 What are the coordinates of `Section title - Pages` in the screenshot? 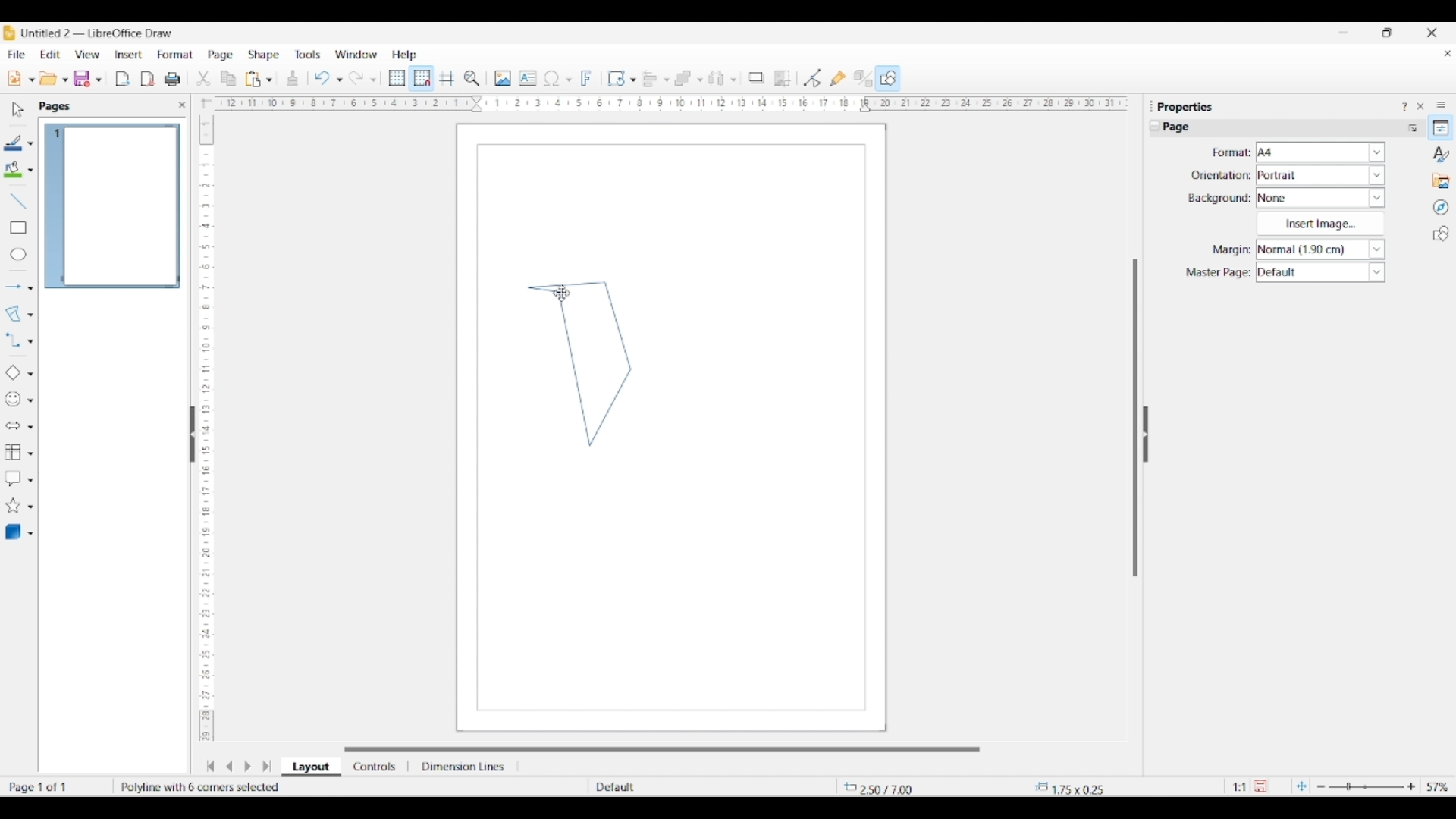 It's located at (58, 106).